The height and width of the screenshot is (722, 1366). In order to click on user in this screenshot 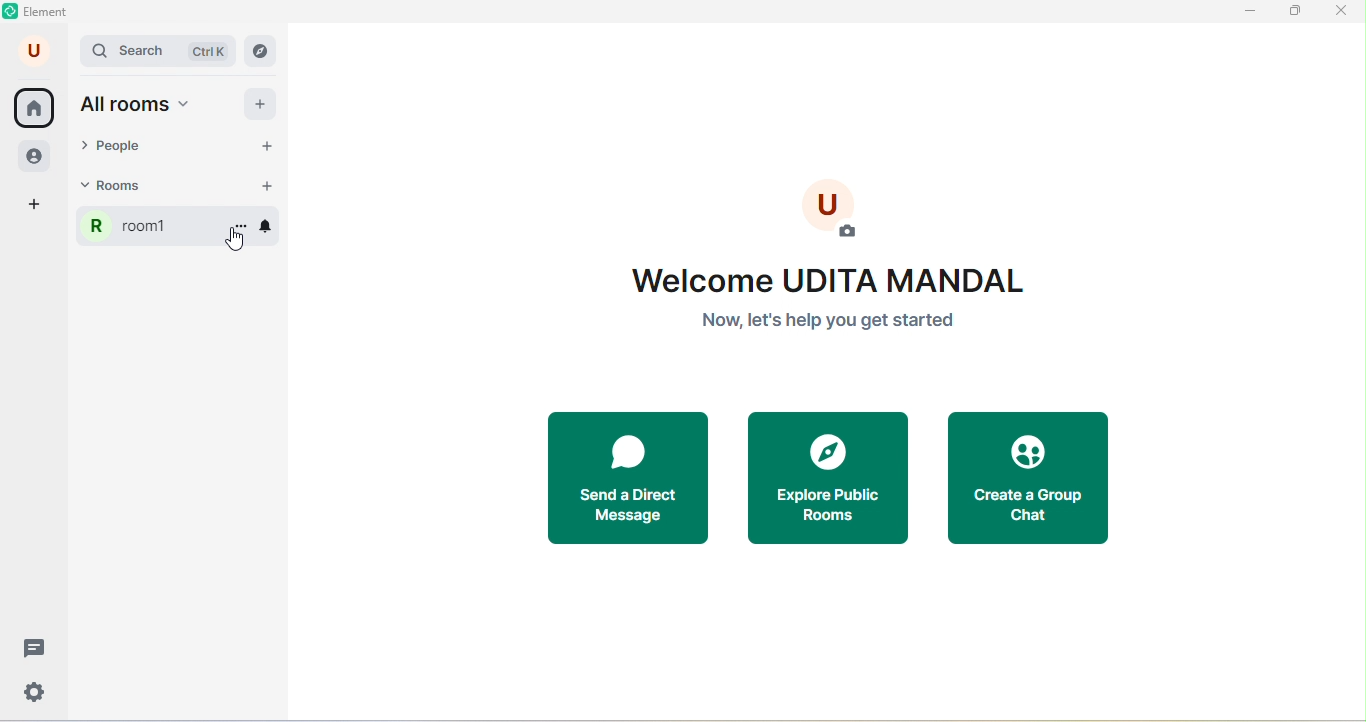, I will do `click(36, 50)`.